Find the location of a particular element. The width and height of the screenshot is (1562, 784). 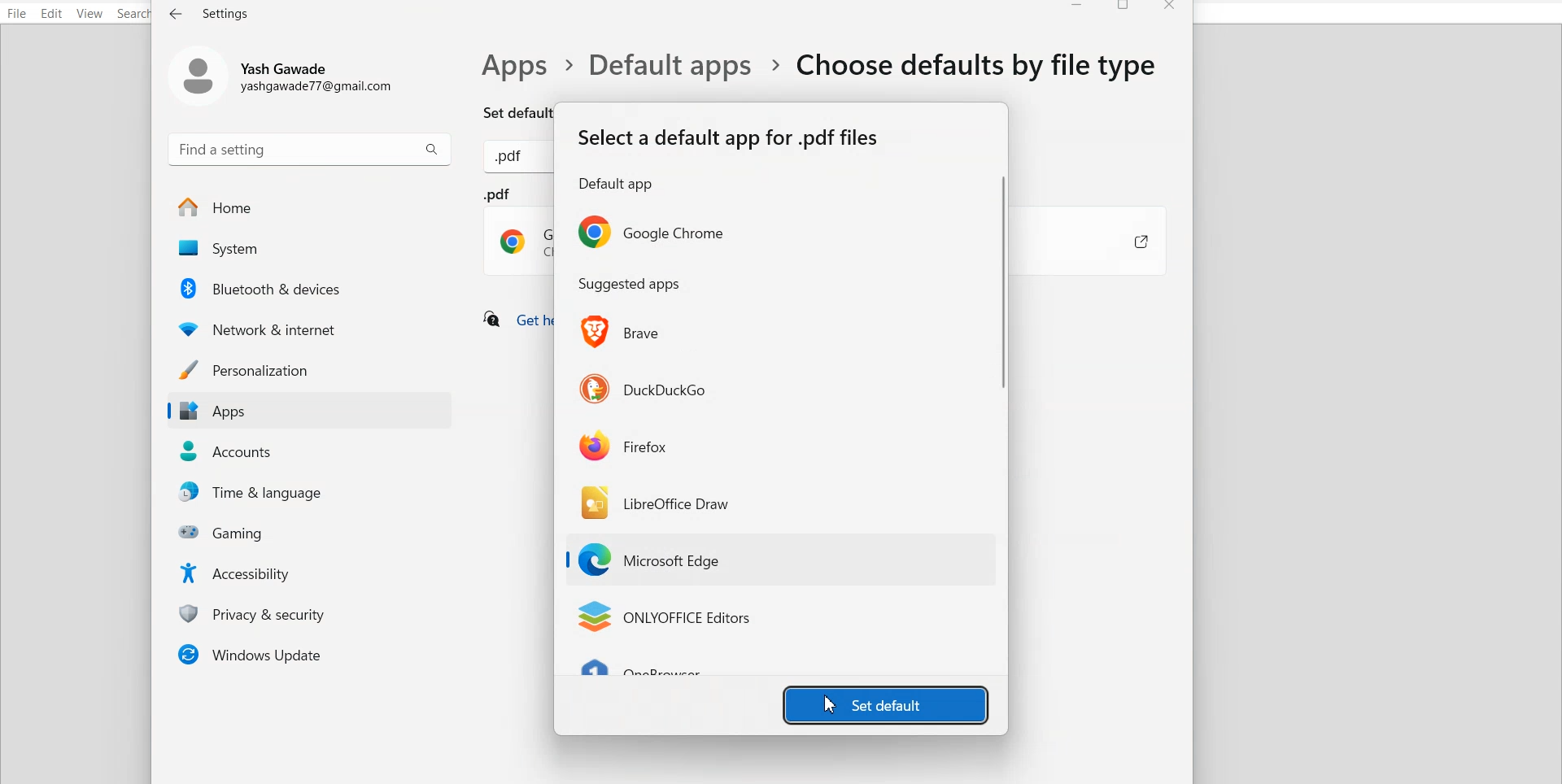

Cursor is located at coordinates (831, 704).